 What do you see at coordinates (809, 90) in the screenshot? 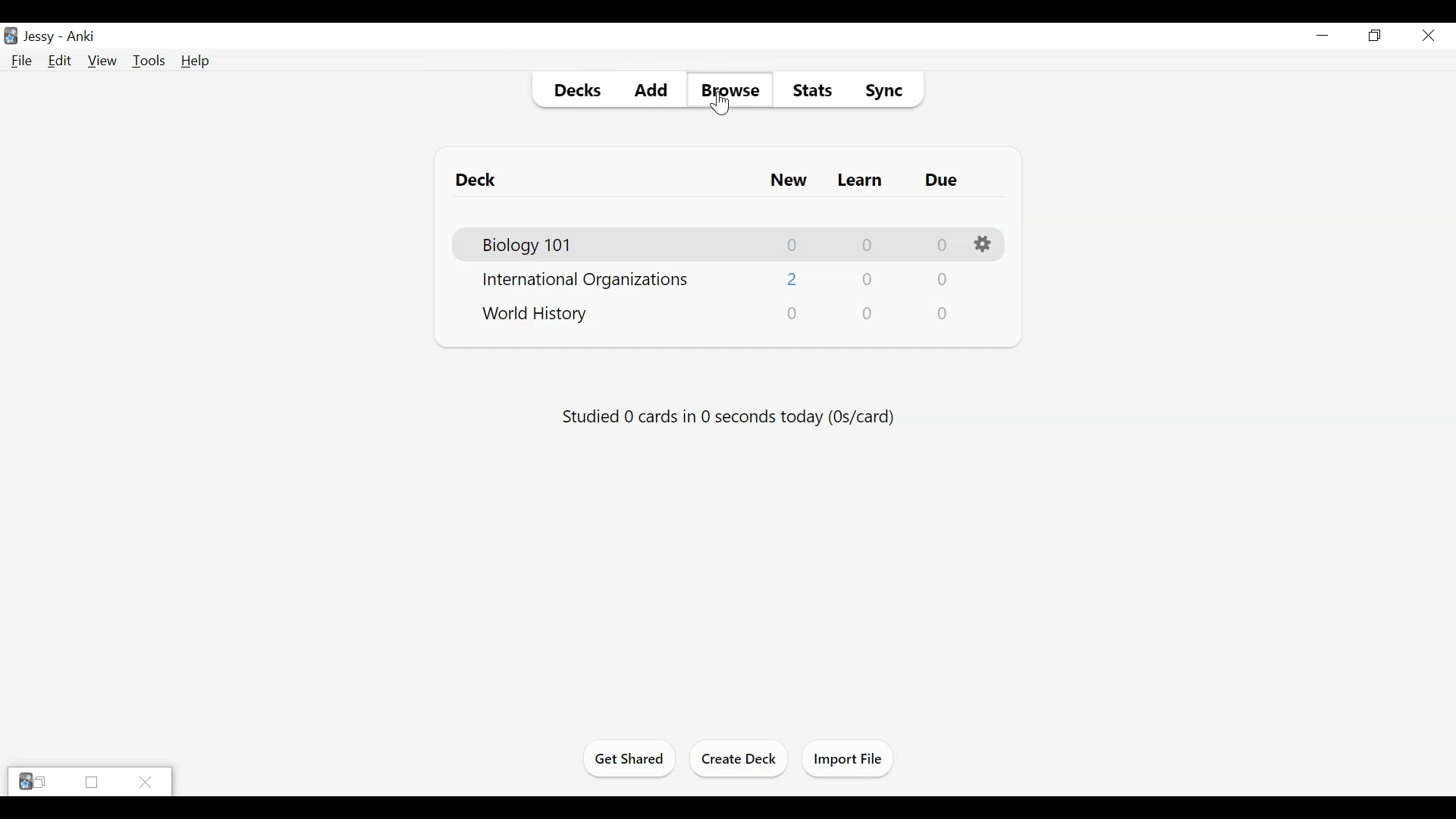
I see `Stats` at bounding box center [809, 90].